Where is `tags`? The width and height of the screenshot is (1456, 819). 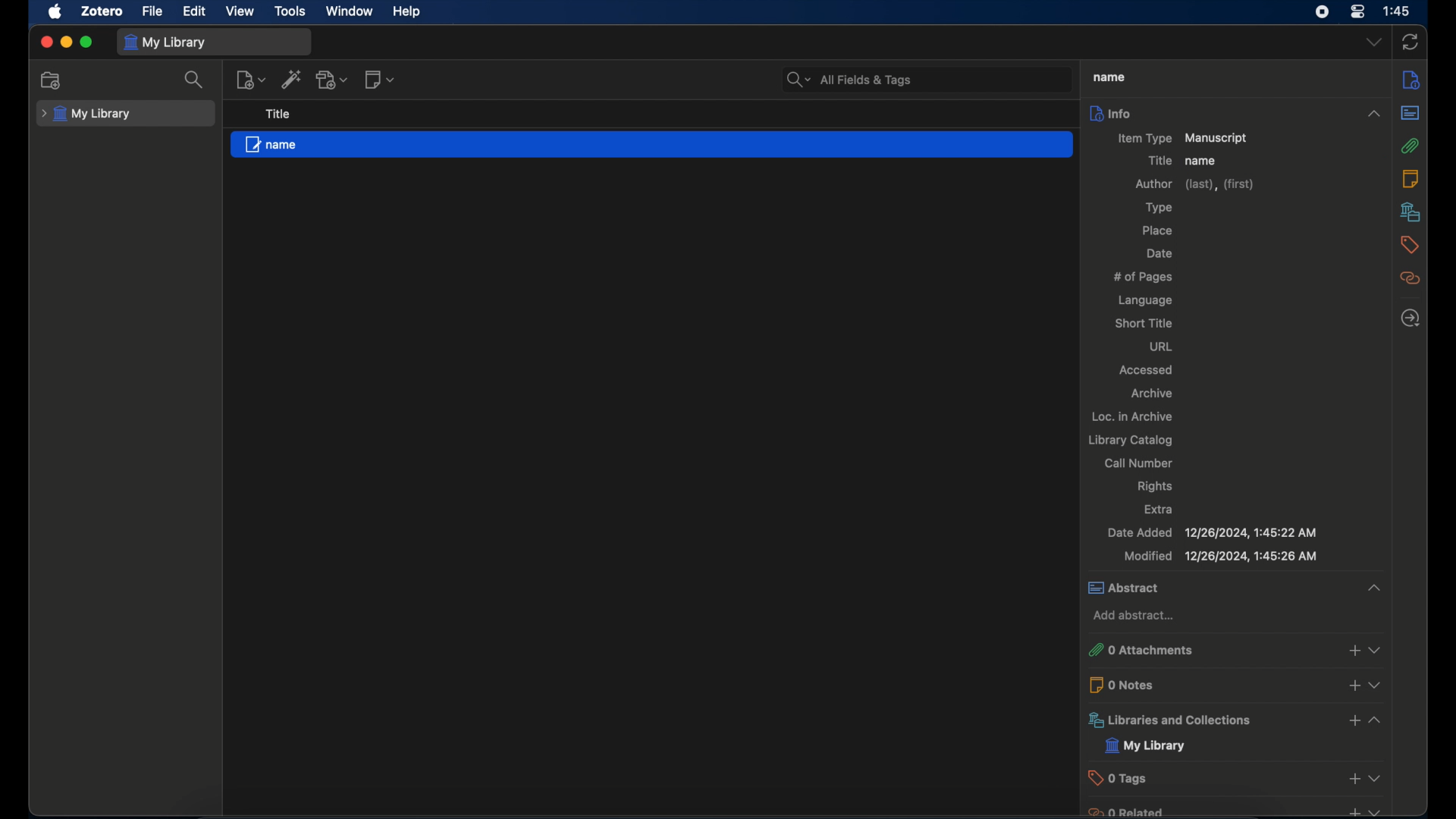 tags is located at coordinates (1410, 245).